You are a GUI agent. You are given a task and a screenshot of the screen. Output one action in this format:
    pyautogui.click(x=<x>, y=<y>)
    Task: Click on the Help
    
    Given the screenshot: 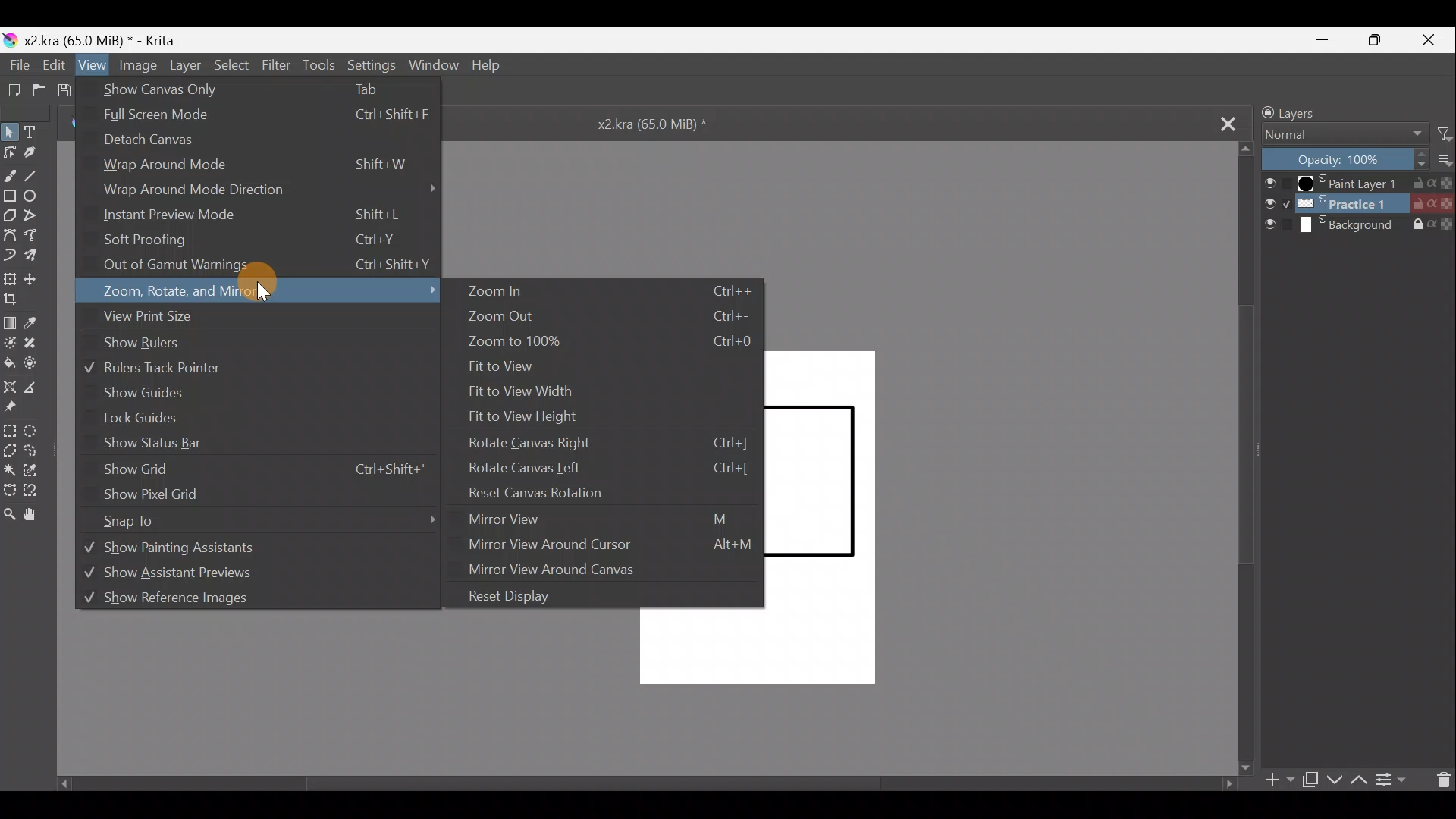 What is the action you would take?
    pyautogui.click(x=488, y=67)
    